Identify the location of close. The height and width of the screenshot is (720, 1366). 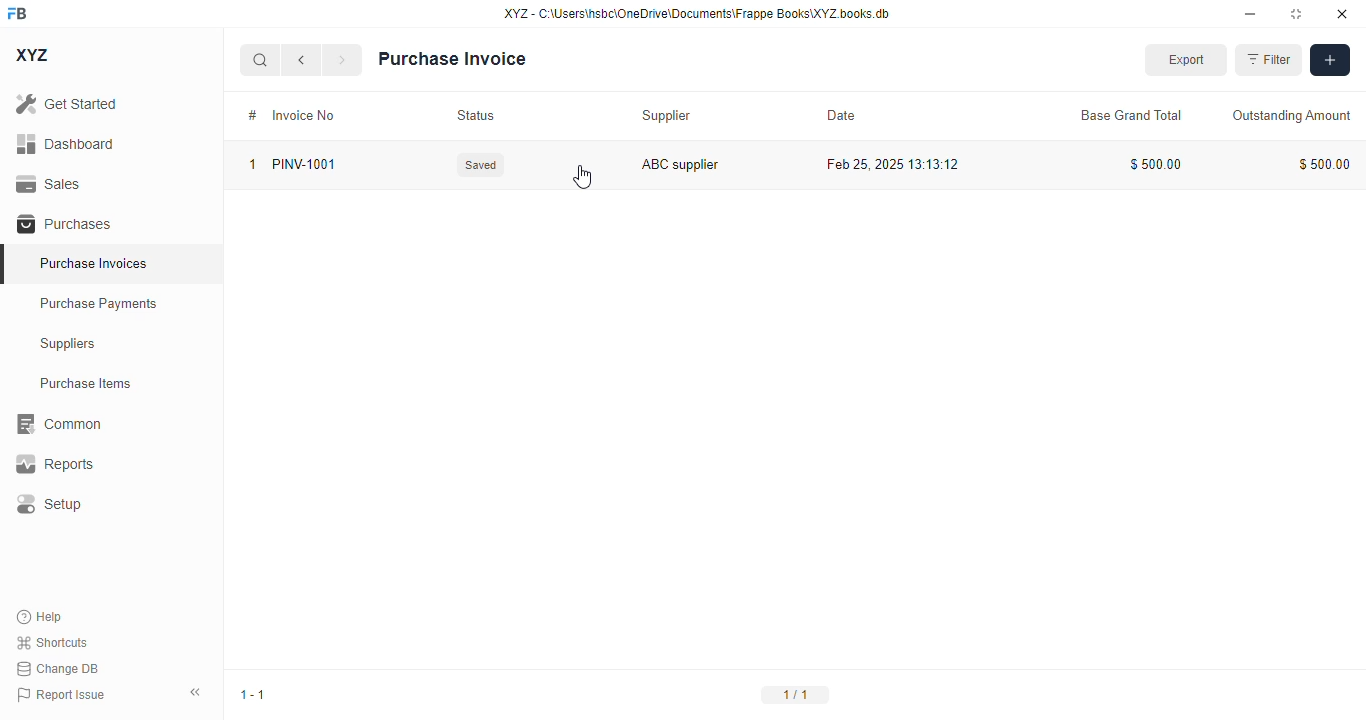
(1342, 13).